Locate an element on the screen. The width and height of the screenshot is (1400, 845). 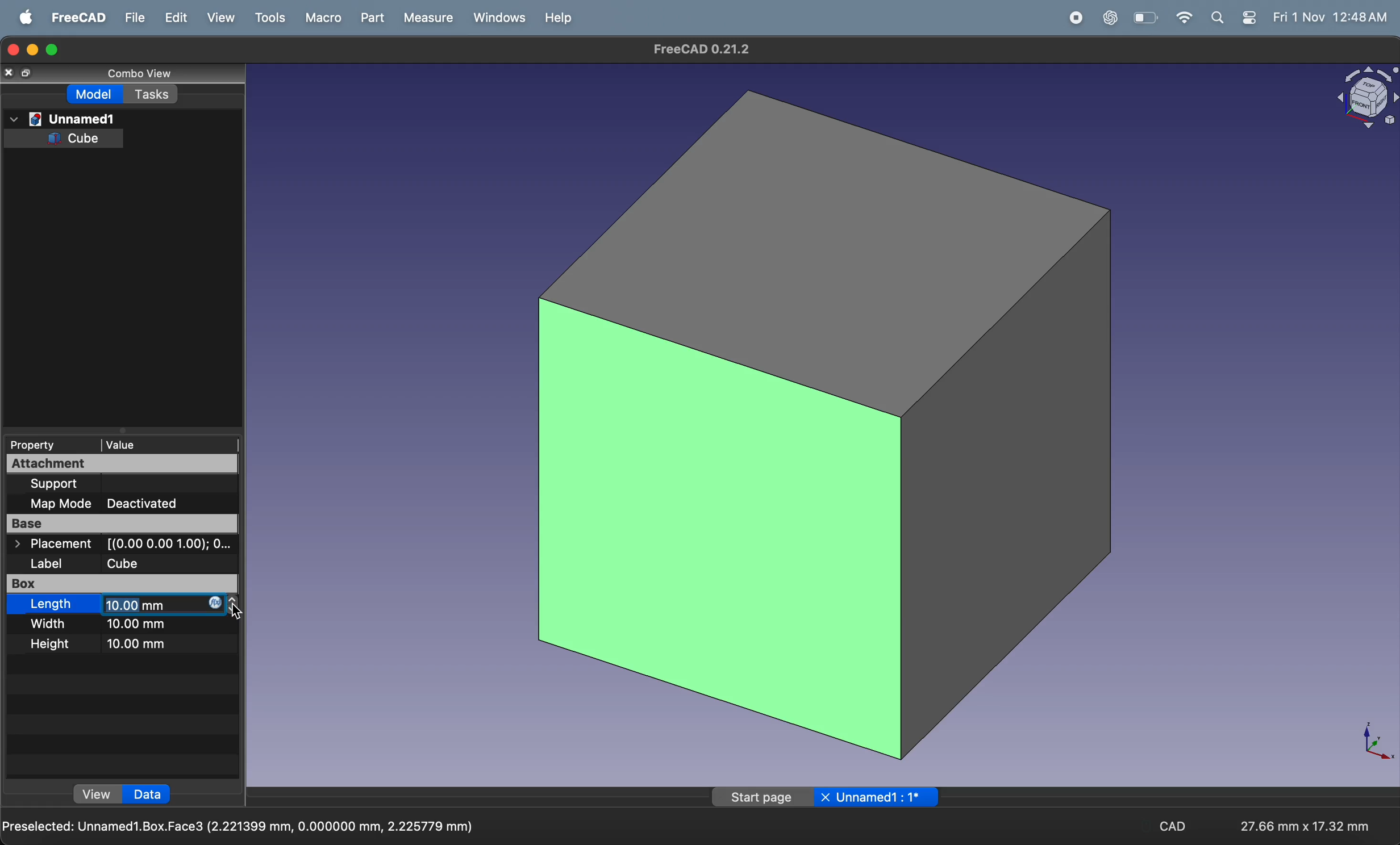
view is located at coordinates (217, 19).